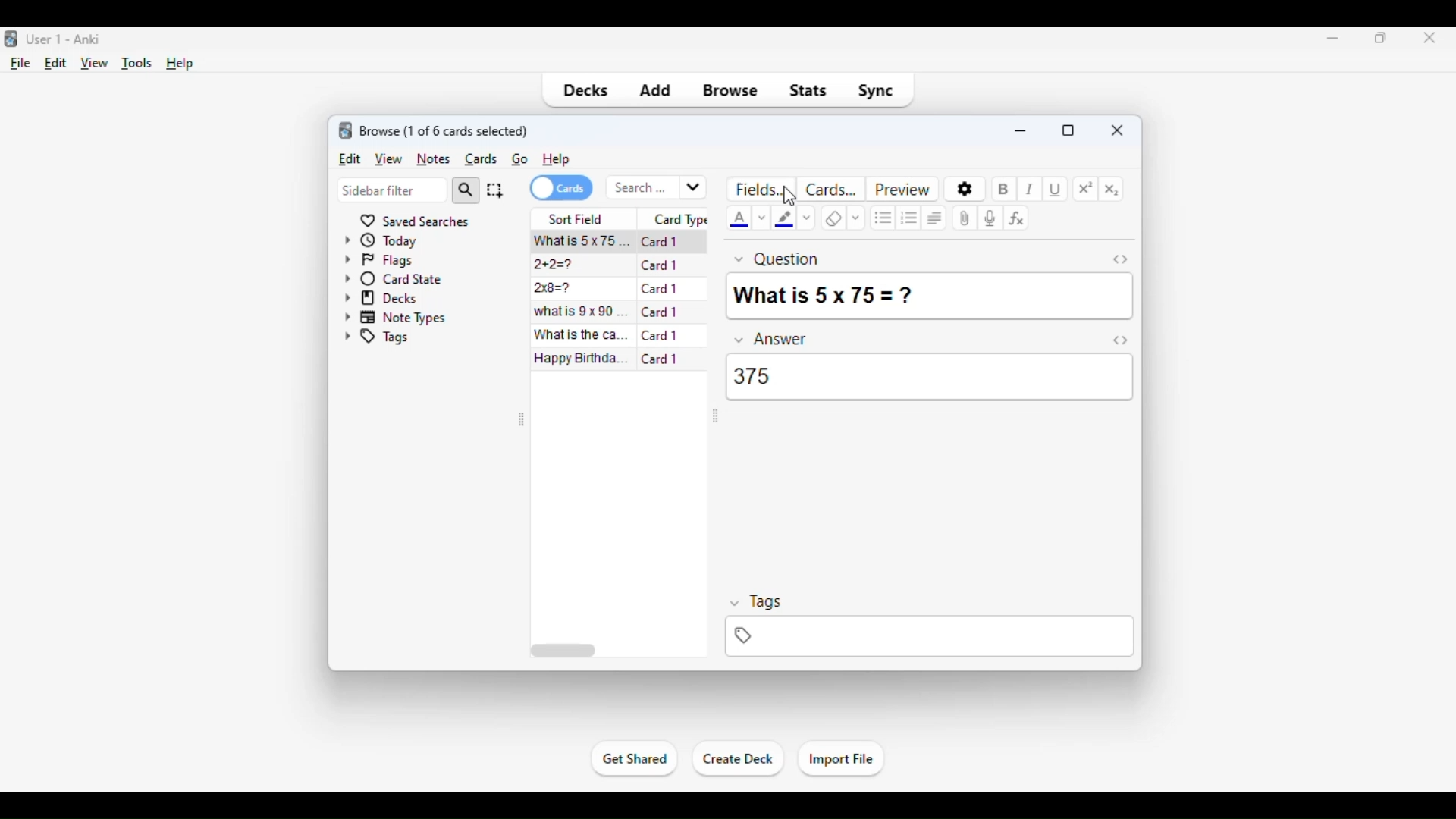 This screenshot has width=1456, height=819. I want to click on select, so click(495, 190).